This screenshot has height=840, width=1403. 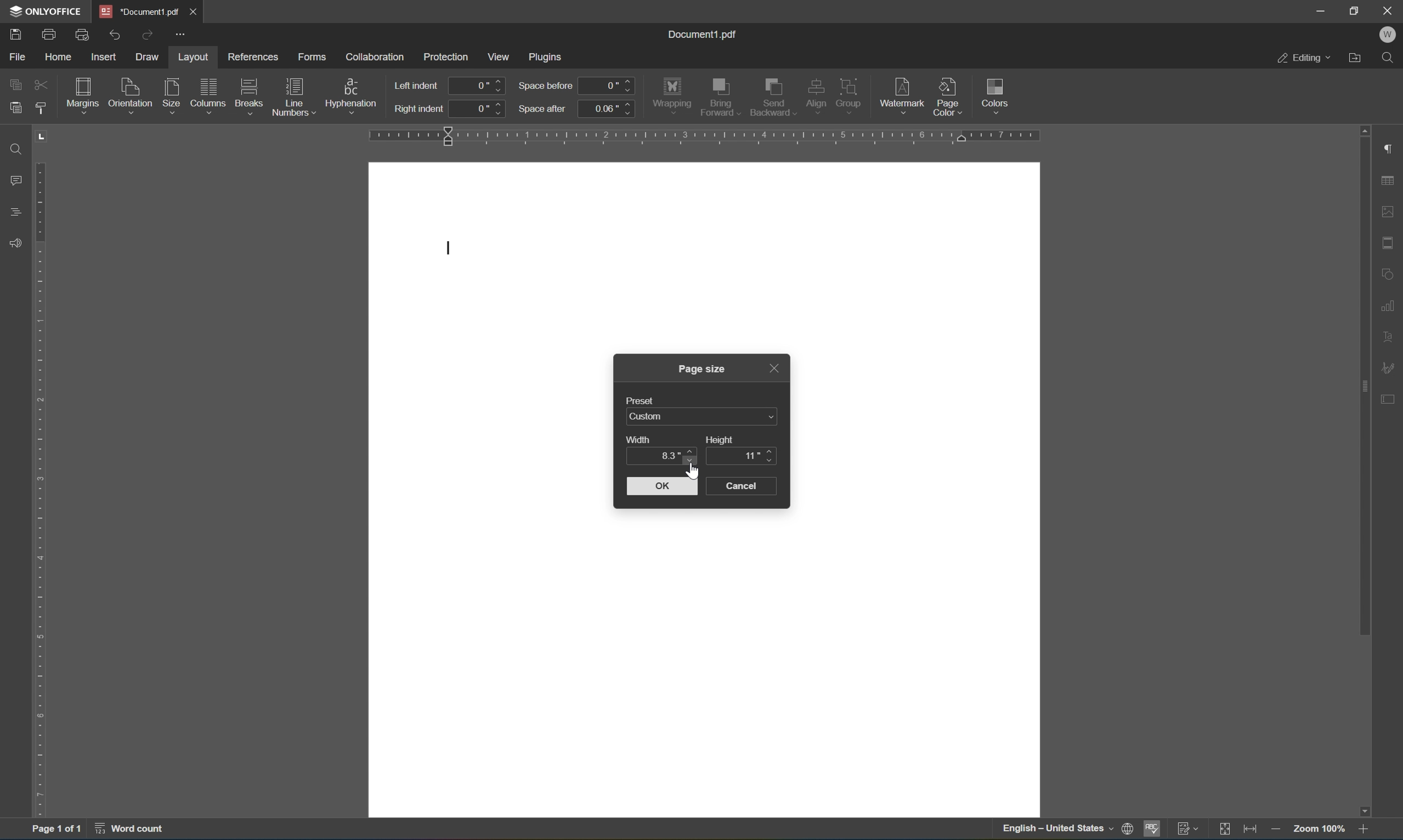 I want to click on print preview, so click(x=83, y=33).